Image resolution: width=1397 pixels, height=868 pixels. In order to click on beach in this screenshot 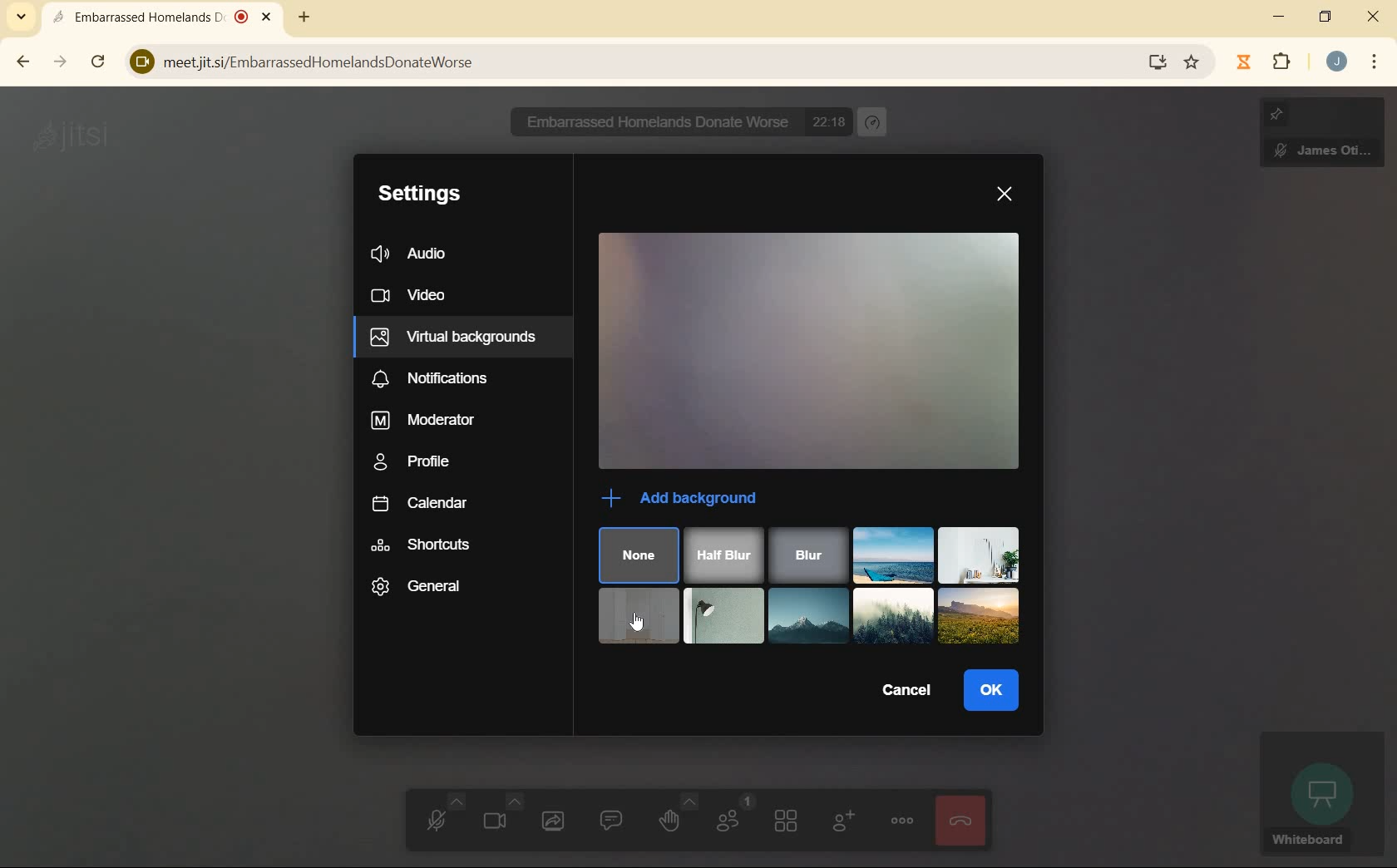, I will do `click(893, 555)`.